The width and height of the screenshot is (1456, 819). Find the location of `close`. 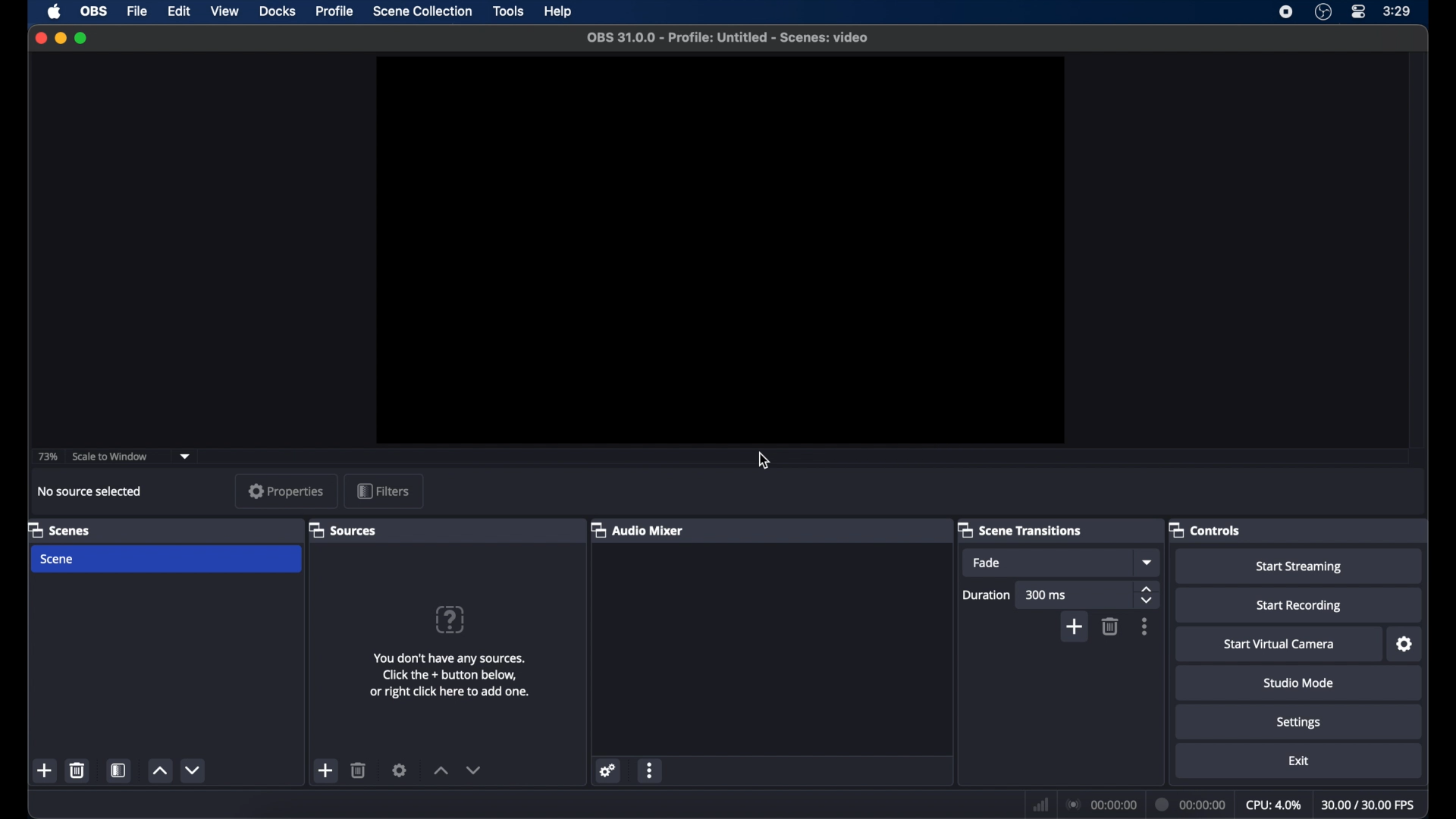

close is located at coordinates (40, 39).